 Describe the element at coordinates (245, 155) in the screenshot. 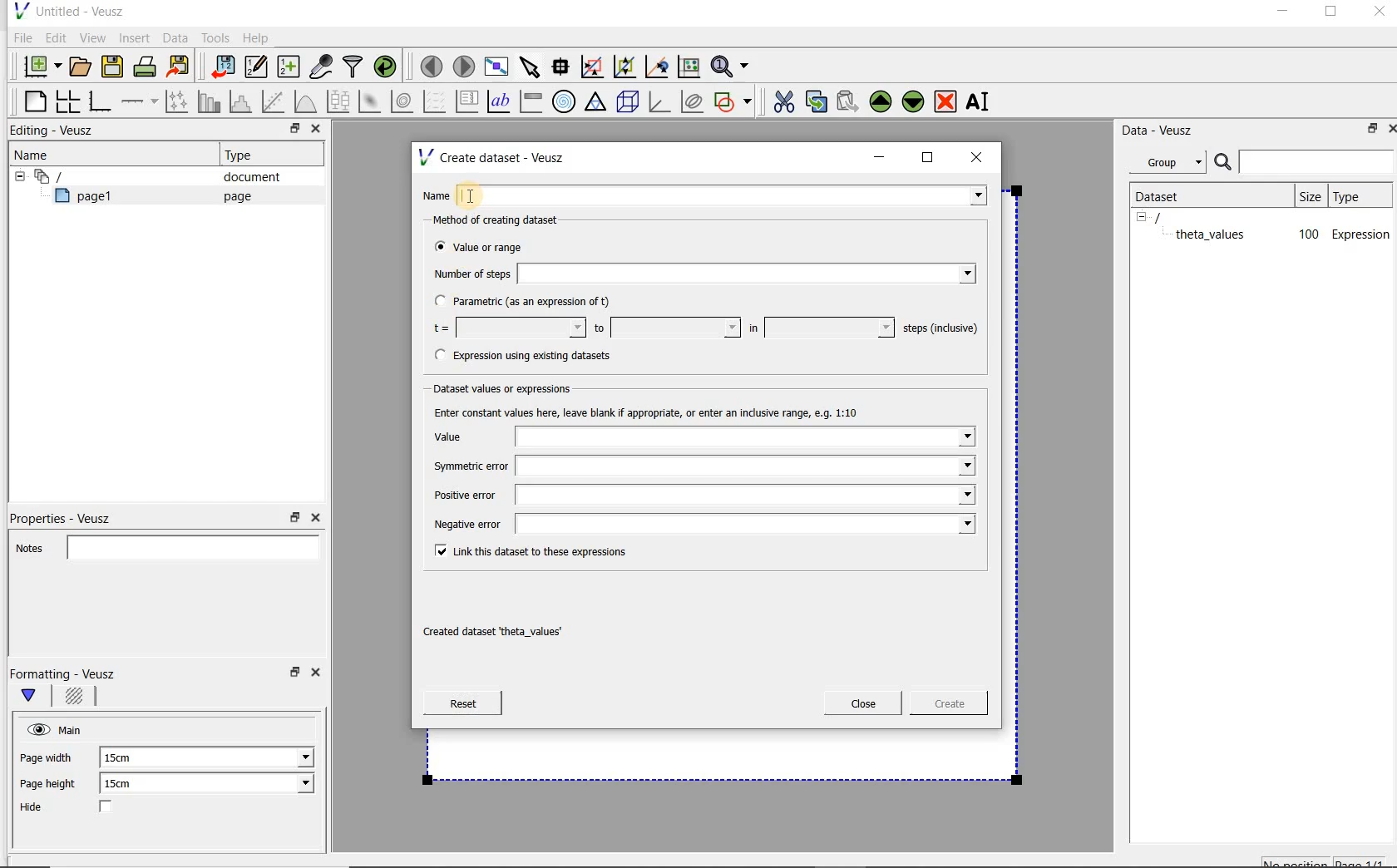

I see `Type` at that location.